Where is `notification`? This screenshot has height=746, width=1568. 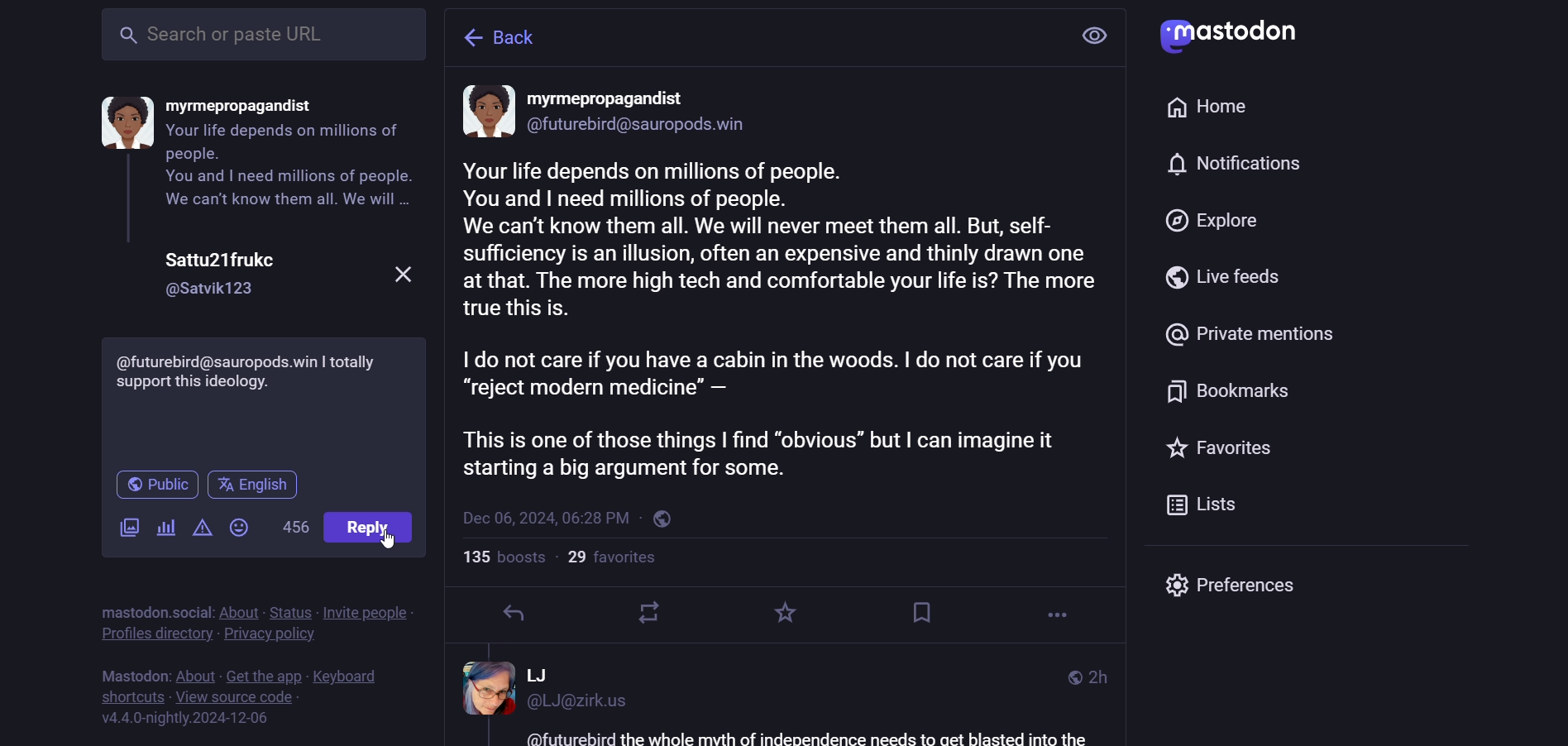 notification is located at coordinates (1237, 165).